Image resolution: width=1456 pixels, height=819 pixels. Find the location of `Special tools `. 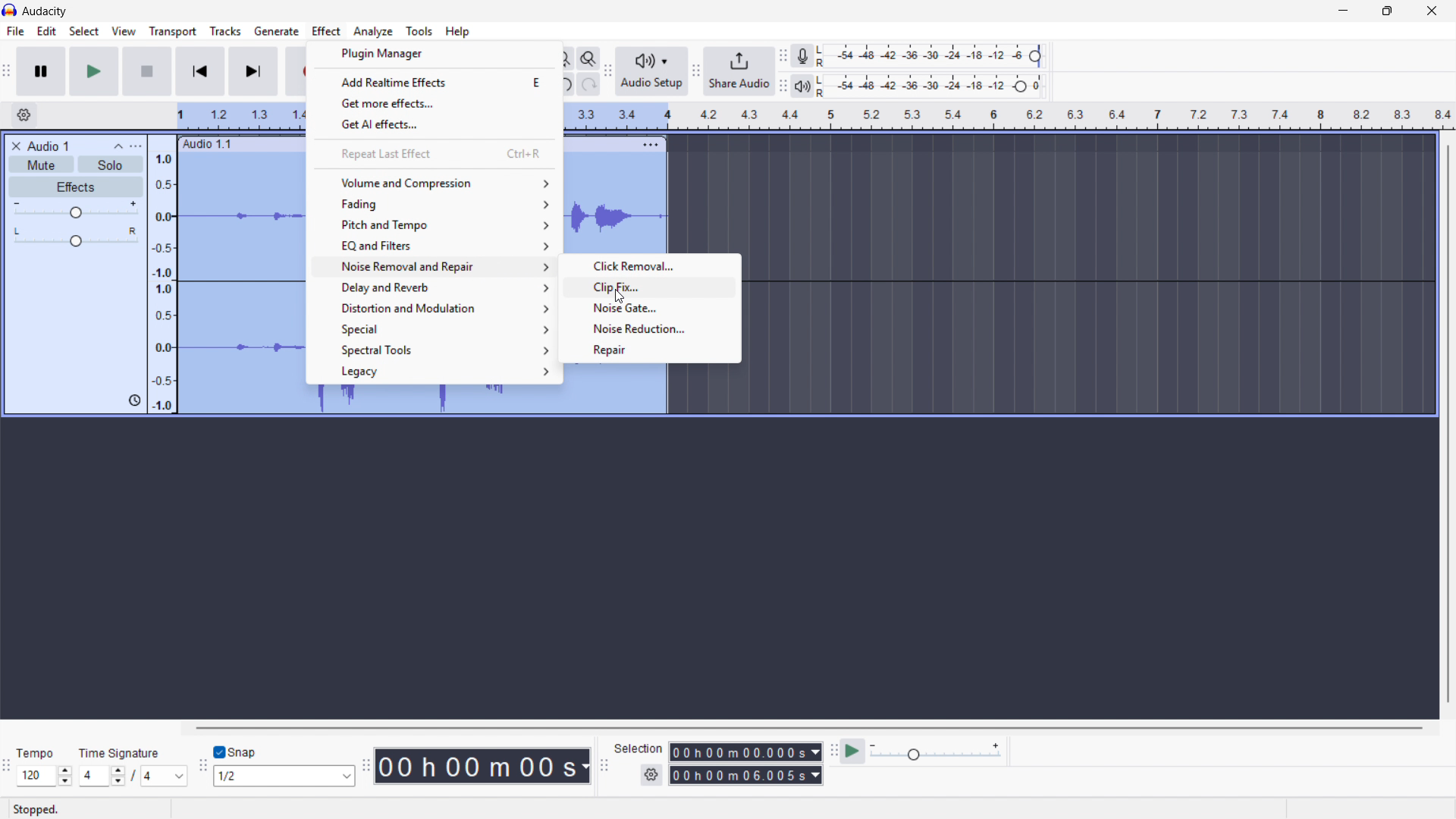

Special tools  is located at coordinates (431, 350).